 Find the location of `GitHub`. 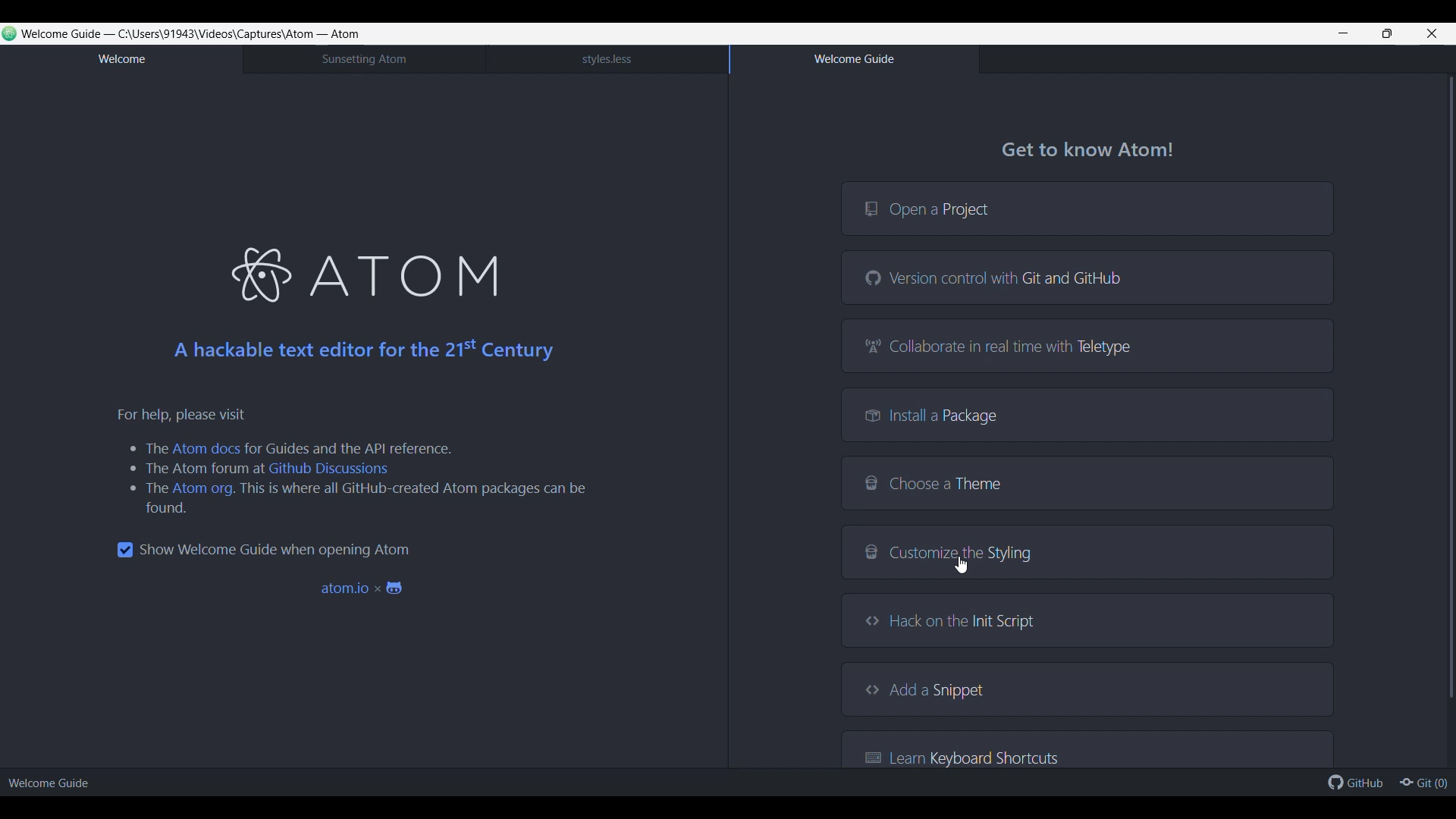

GitHub is located at coordinates (1355, 781).